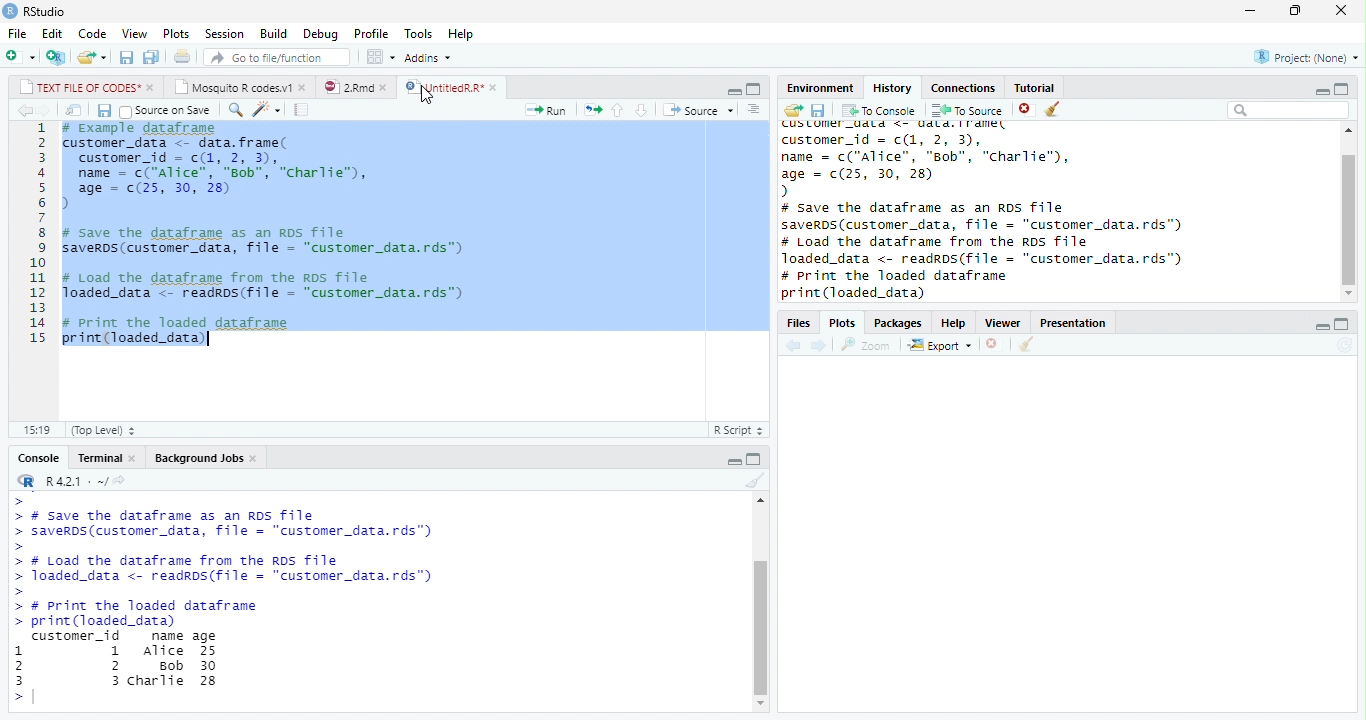 This screenshot has height=720, width=1366. I want to click on refresh, so click(1345, 345).